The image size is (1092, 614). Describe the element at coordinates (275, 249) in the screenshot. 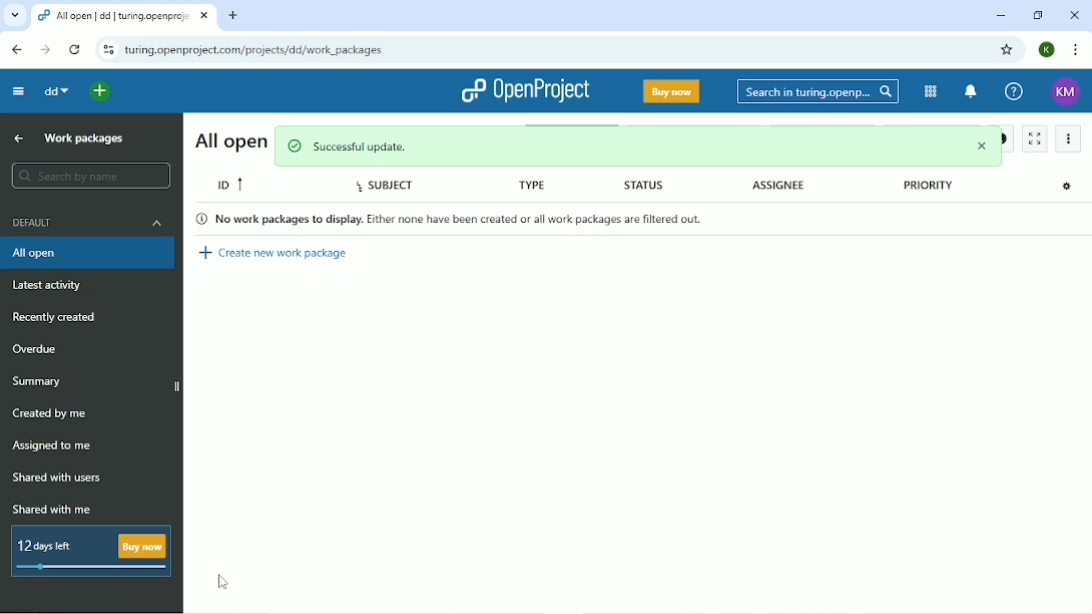

I see `Create new work package` at that location.